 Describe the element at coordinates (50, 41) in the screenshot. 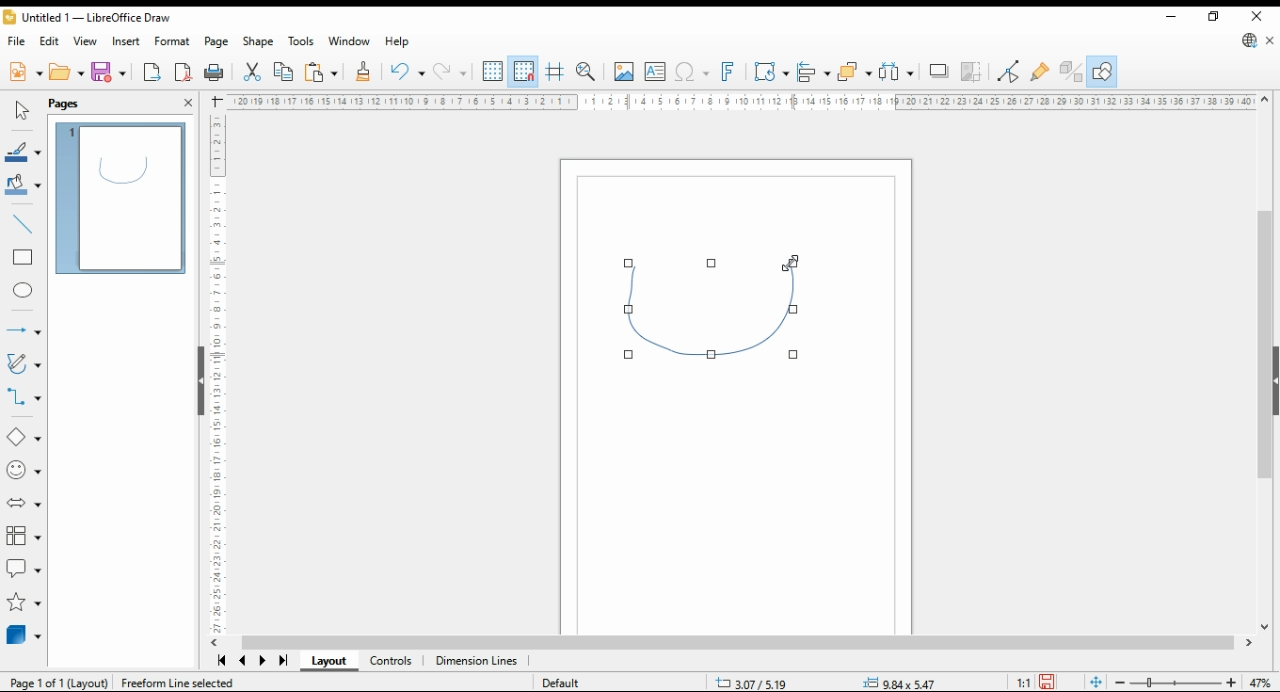

I see `edit` at that location.